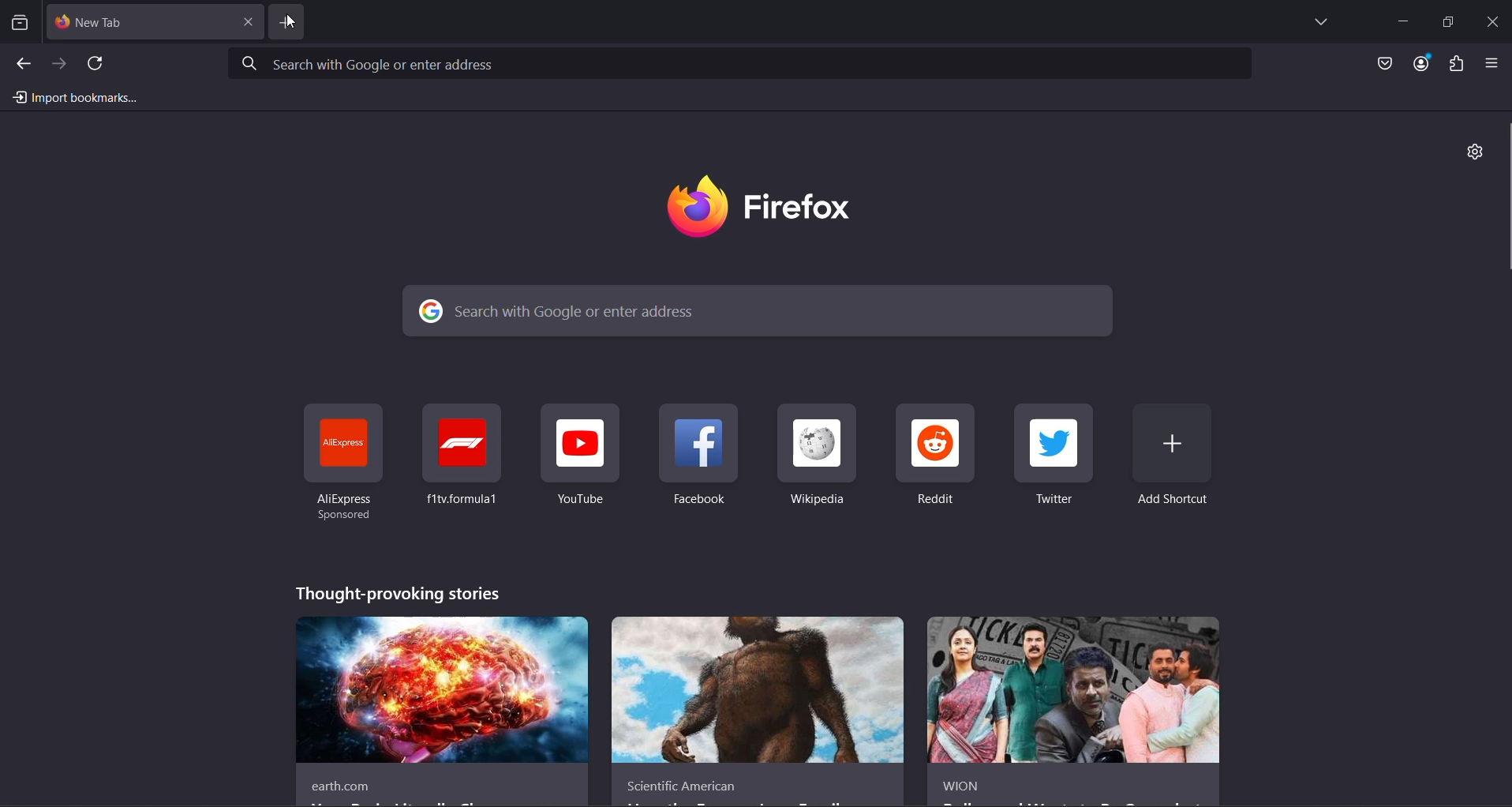 The width and height of the screenshot is (1512, 807). Describe the element at coordinates (1173, 459) in the screenshot. I see `add shortcut` at that location.